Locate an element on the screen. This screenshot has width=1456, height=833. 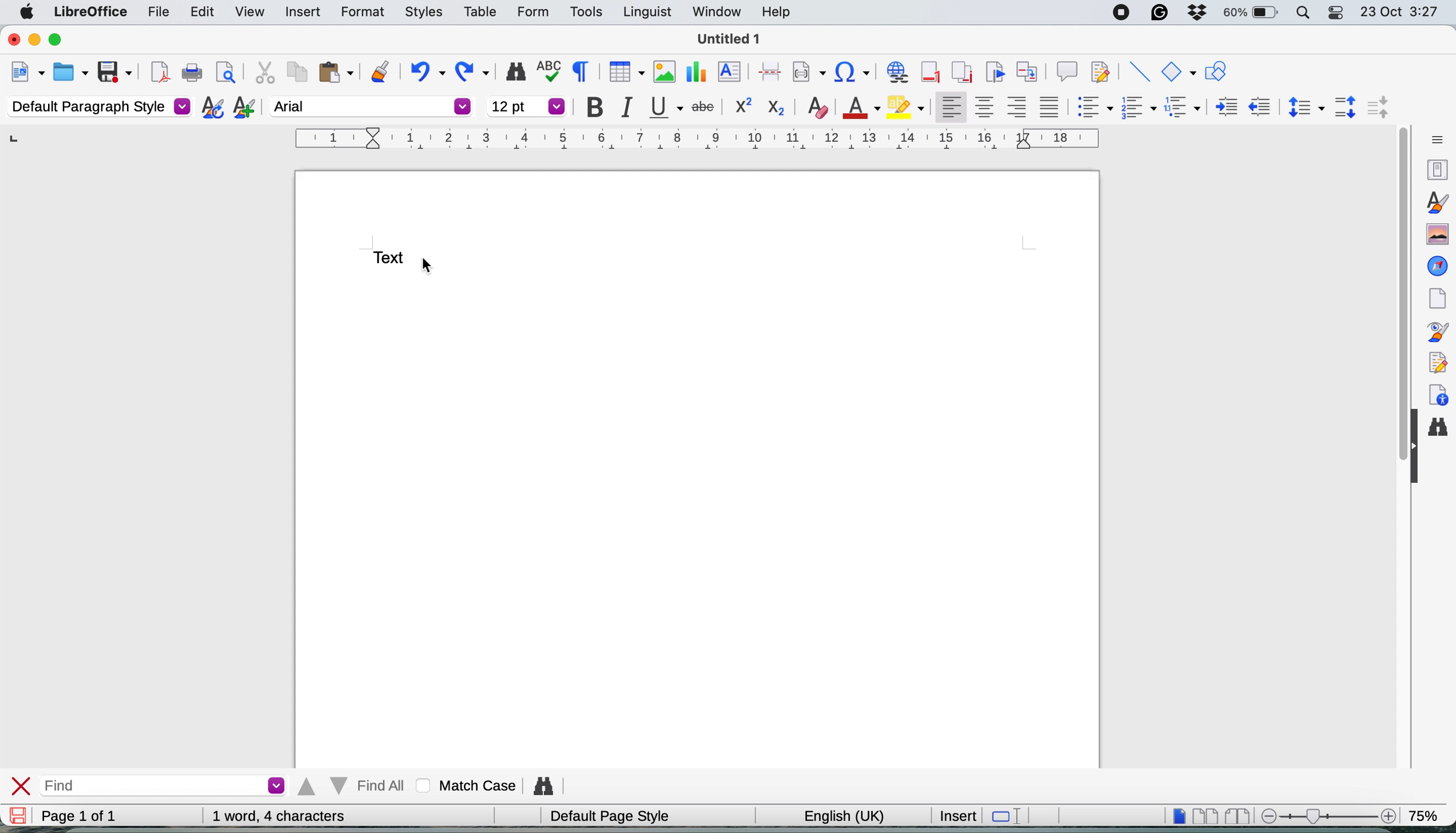
undo is located at coordinates (427, 73).